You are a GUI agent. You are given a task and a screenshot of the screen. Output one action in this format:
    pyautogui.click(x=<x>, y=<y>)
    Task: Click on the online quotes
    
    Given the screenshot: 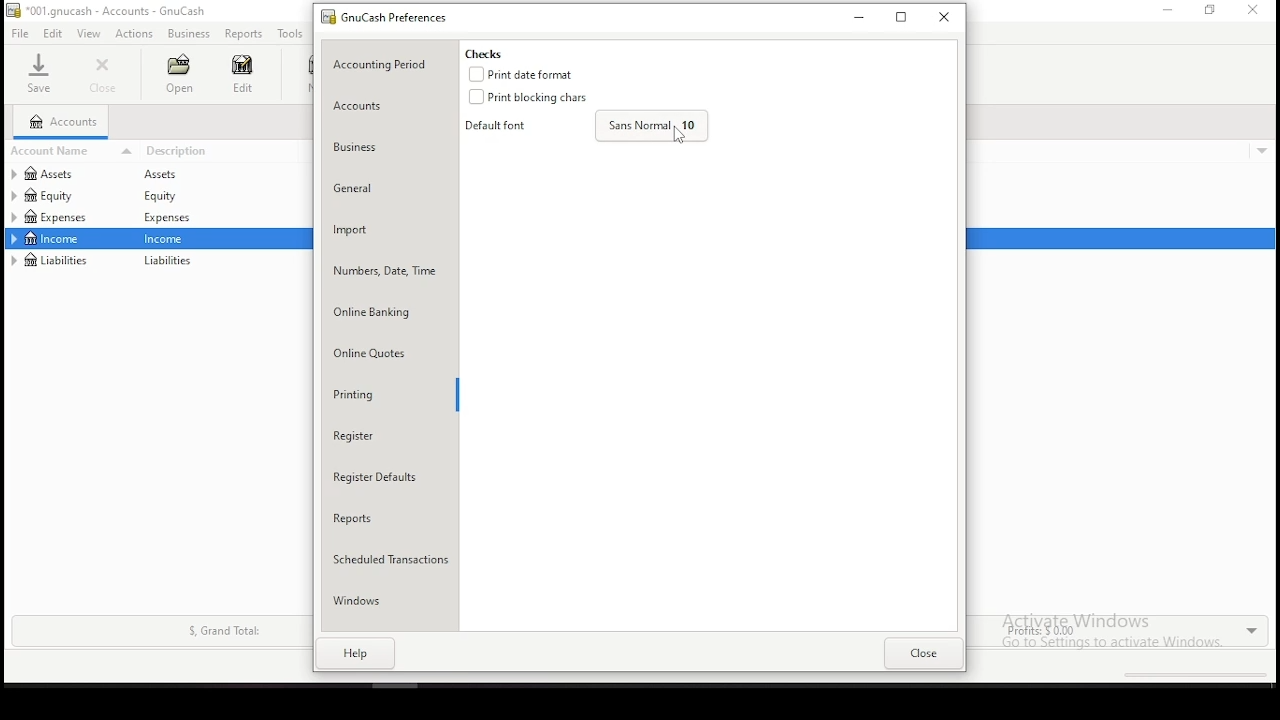 What is the action you would take?
    pyautogui.click(x=371, y=355)
    